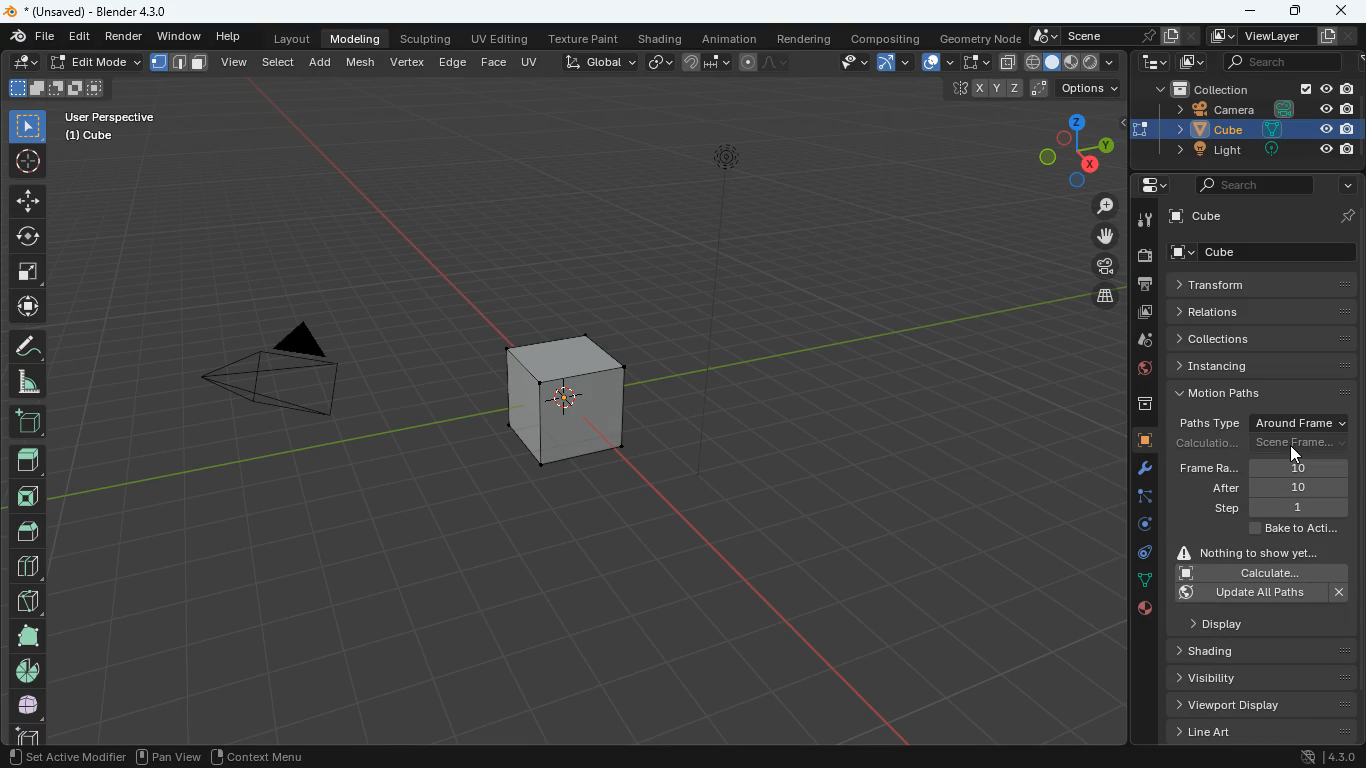 The width and height of the screenshot is (1366, 768). Describe the element at coordinates (323, 60) in the screenshot. I see `add` at that location.